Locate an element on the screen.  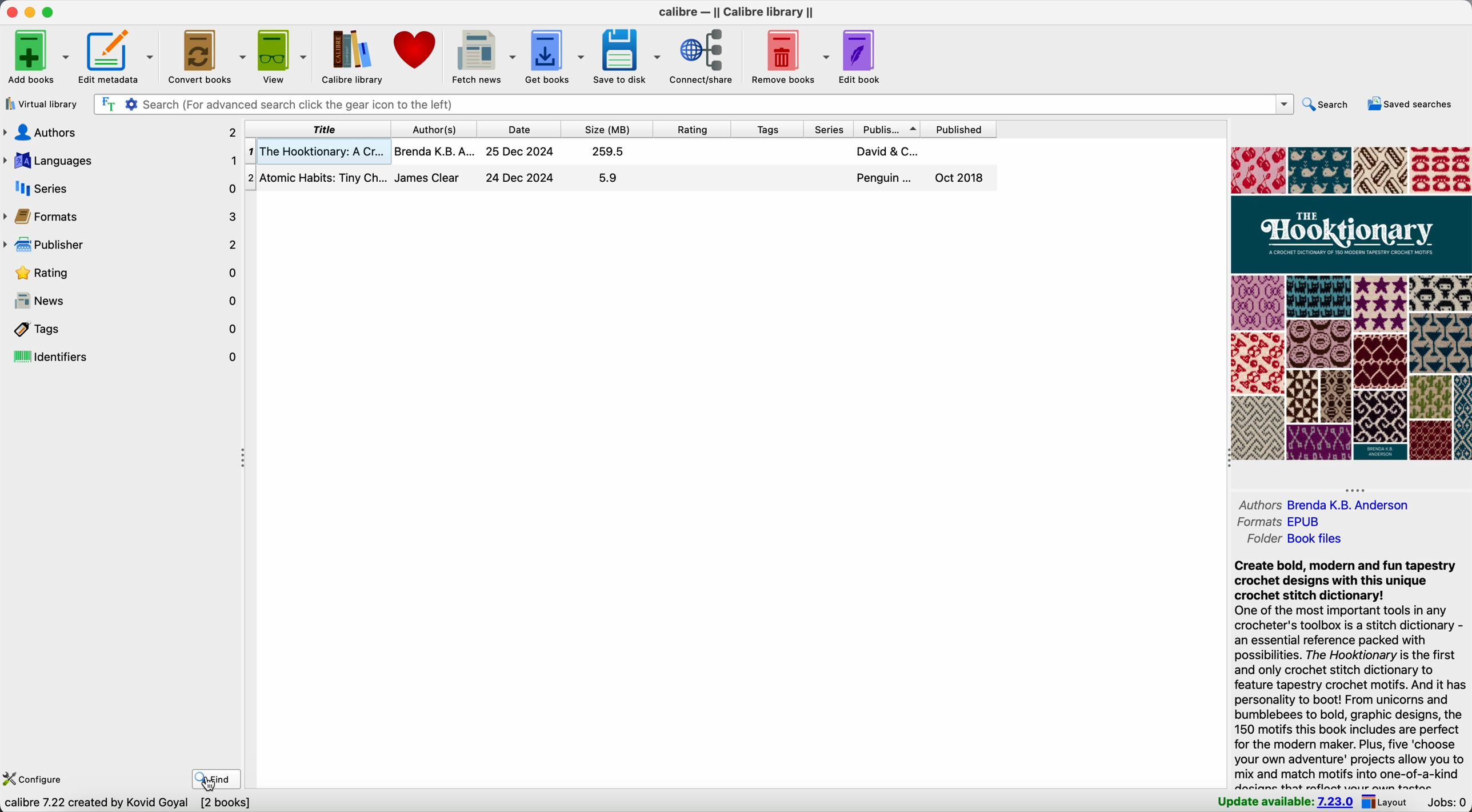
edit book is located at coordinates (867, 58).